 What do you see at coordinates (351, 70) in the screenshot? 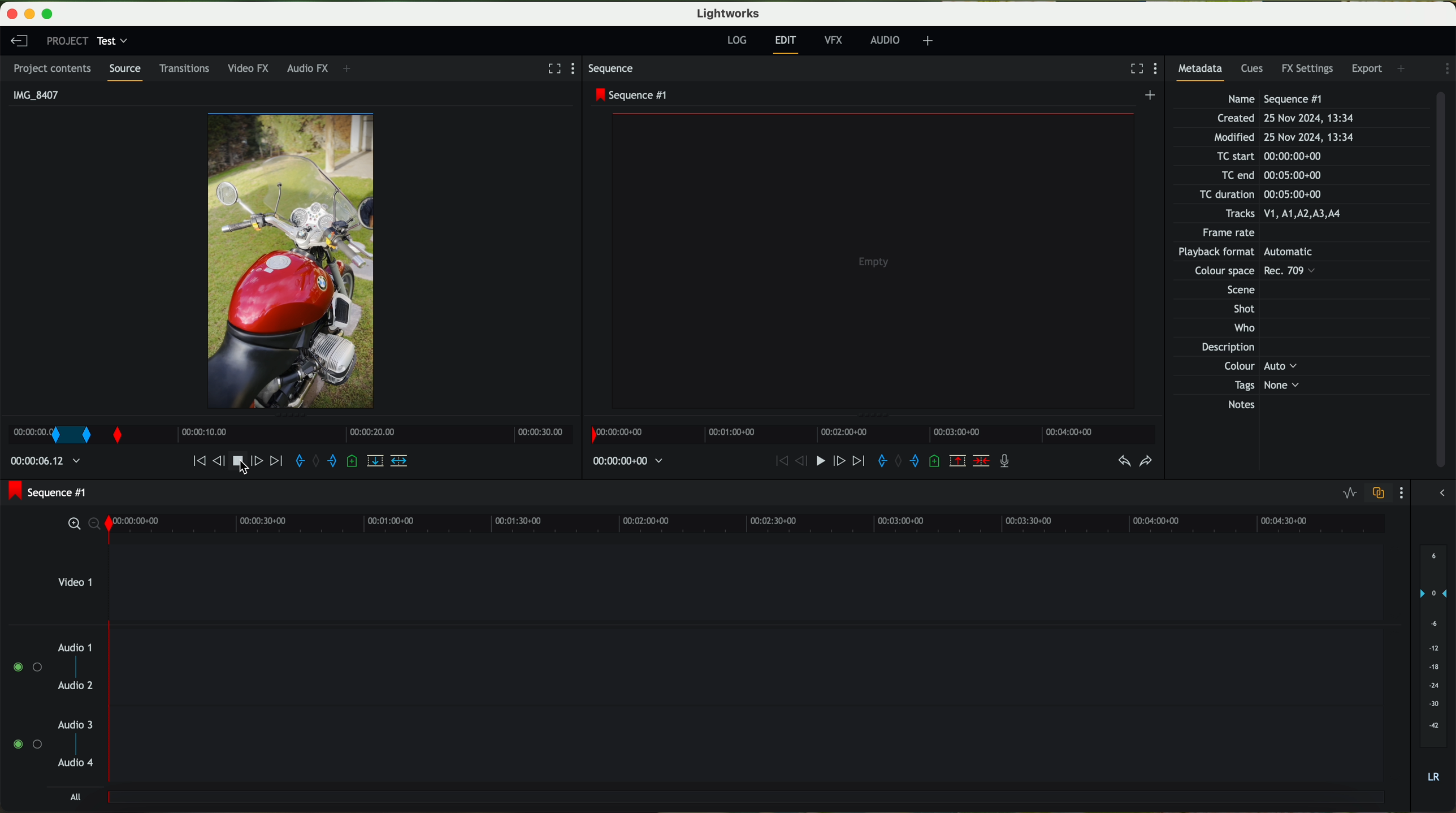
I see `+` at bounding box center [351, 70].